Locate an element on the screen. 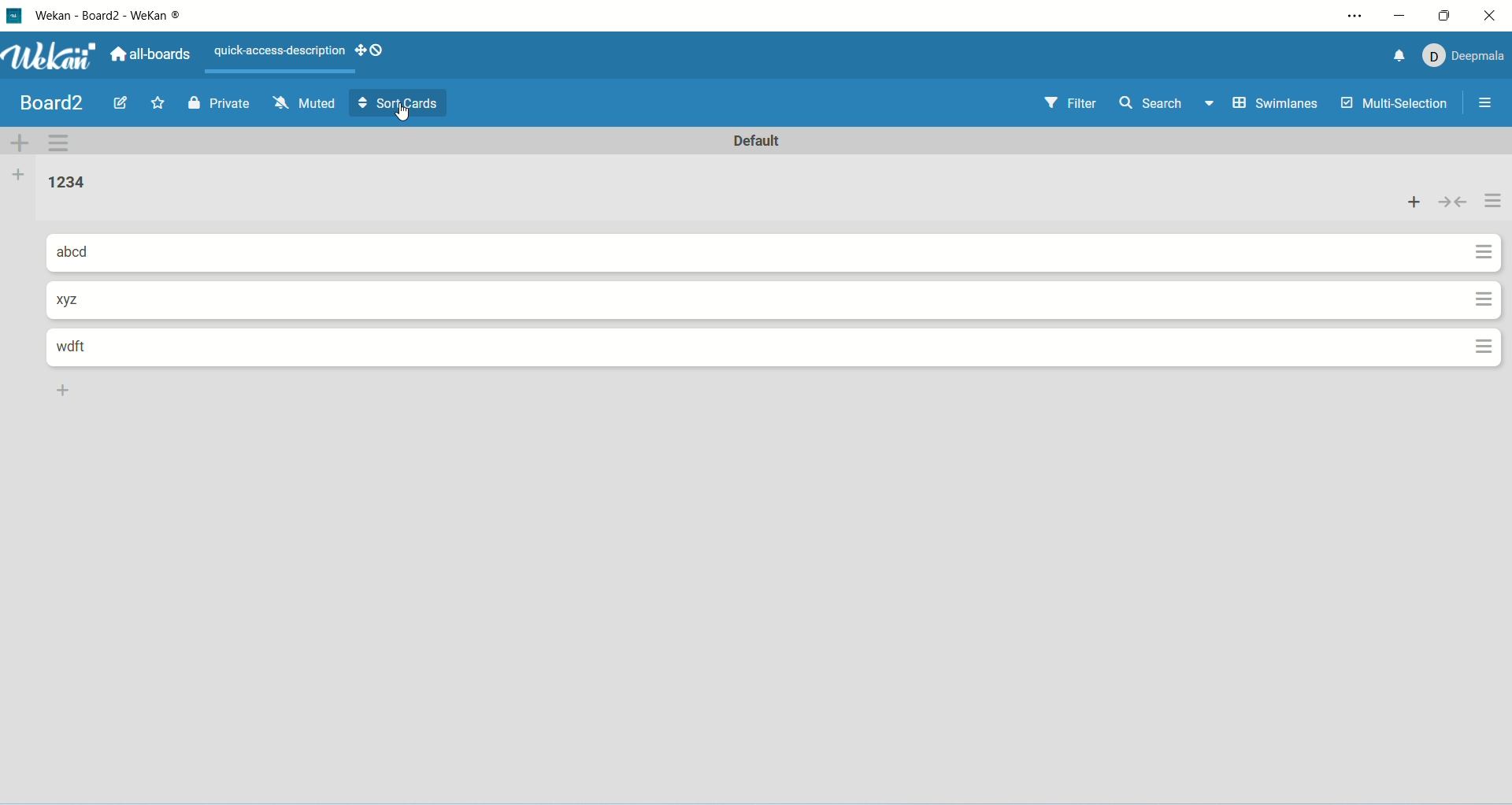 This screenshot has width=1512, height=805. maximize is located at coordinates (1447, 14).